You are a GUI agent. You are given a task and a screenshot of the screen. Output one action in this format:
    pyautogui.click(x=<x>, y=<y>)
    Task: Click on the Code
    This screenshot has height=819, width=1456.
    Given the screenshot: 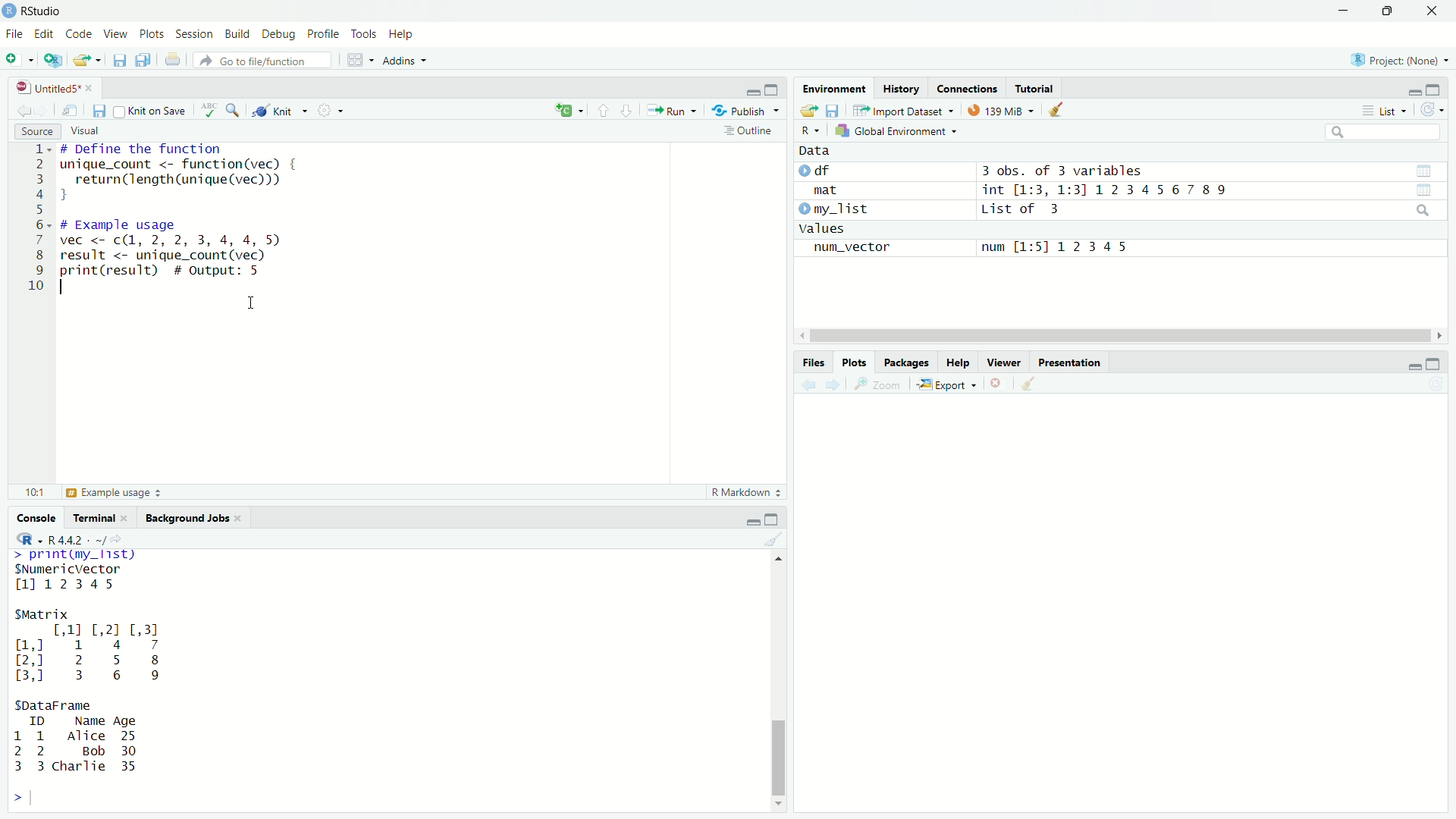 What is the action you would take?
    pyautogui.click(x=80, y=35)
    